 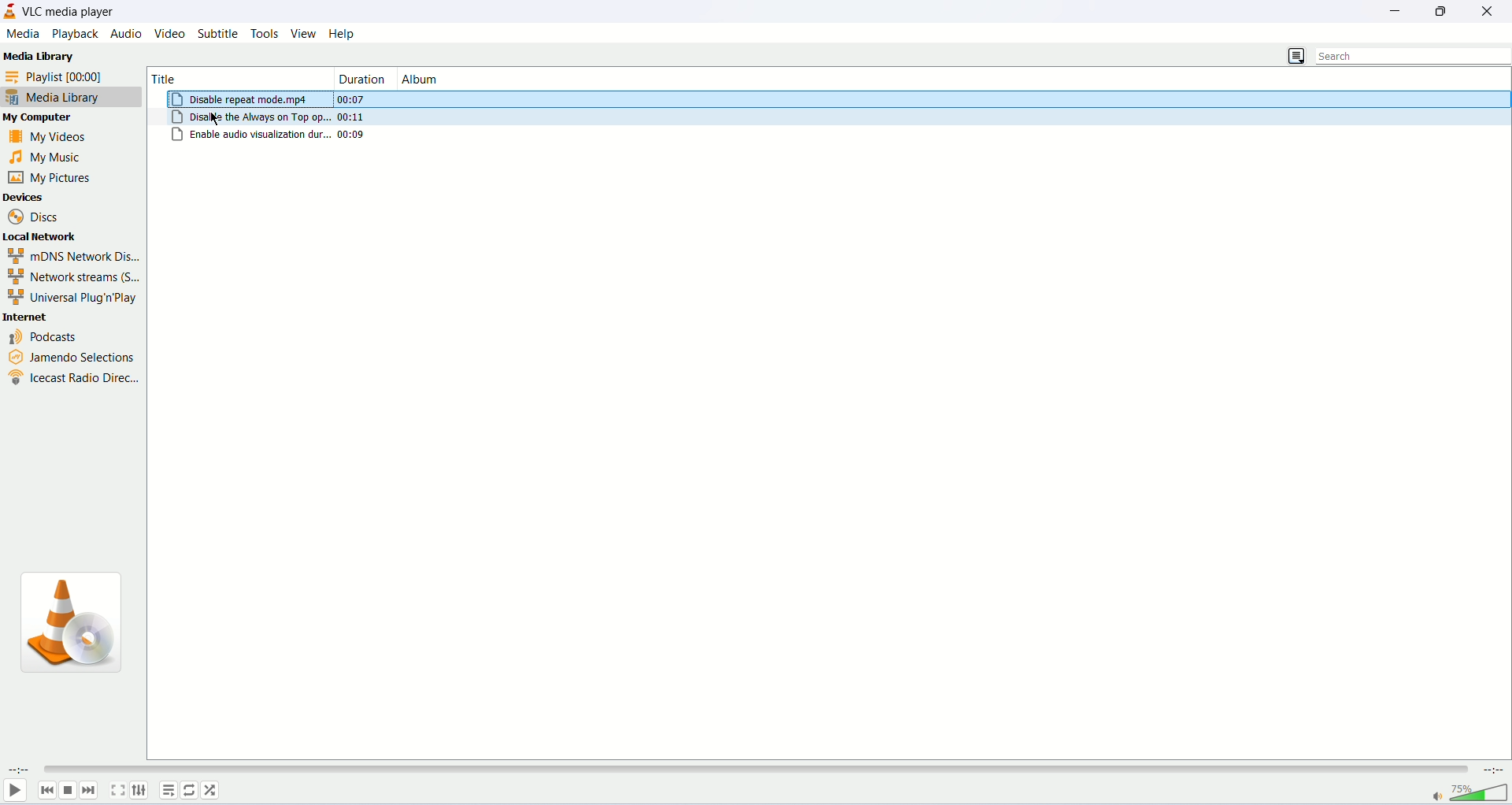 I want to click on playback, so click(x=74, y=34).